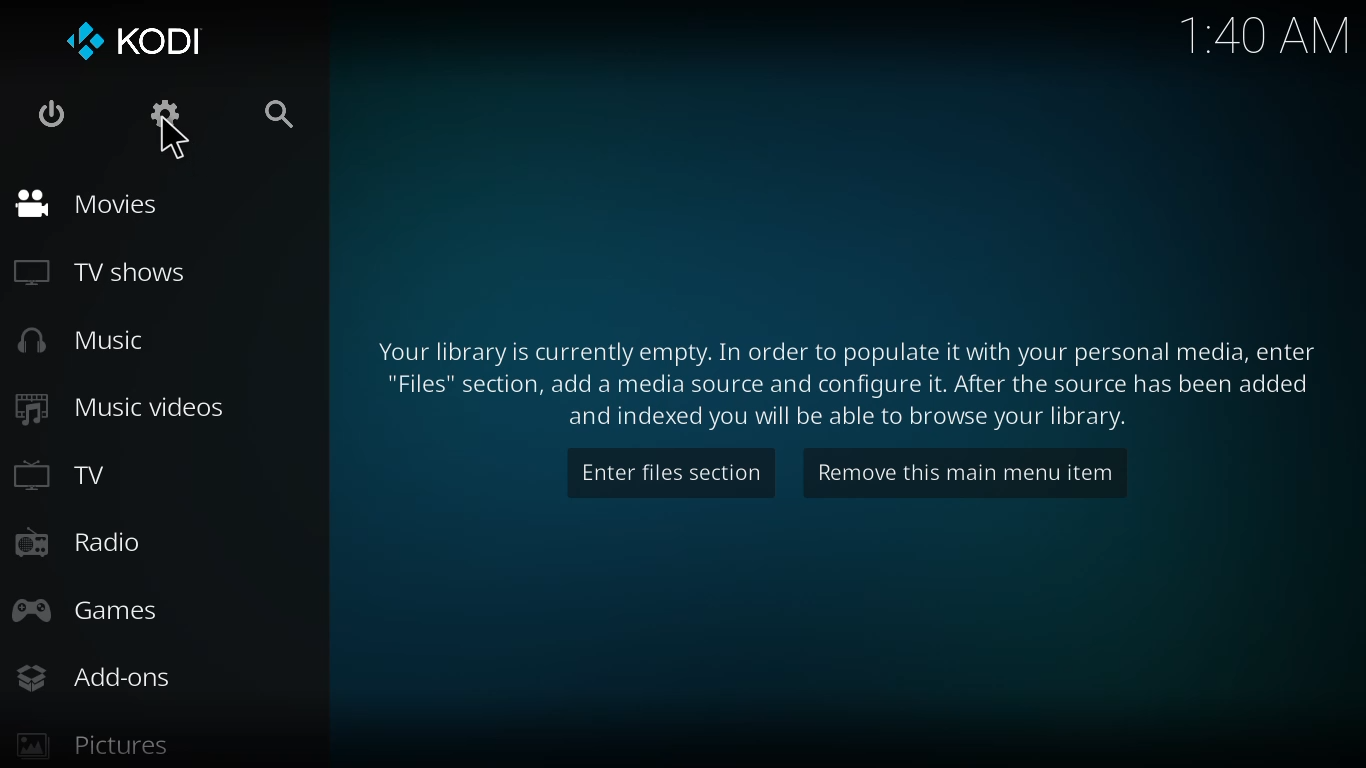 This screenshot has height=768, width=1366. I want to click on tv, so click(61, 474).